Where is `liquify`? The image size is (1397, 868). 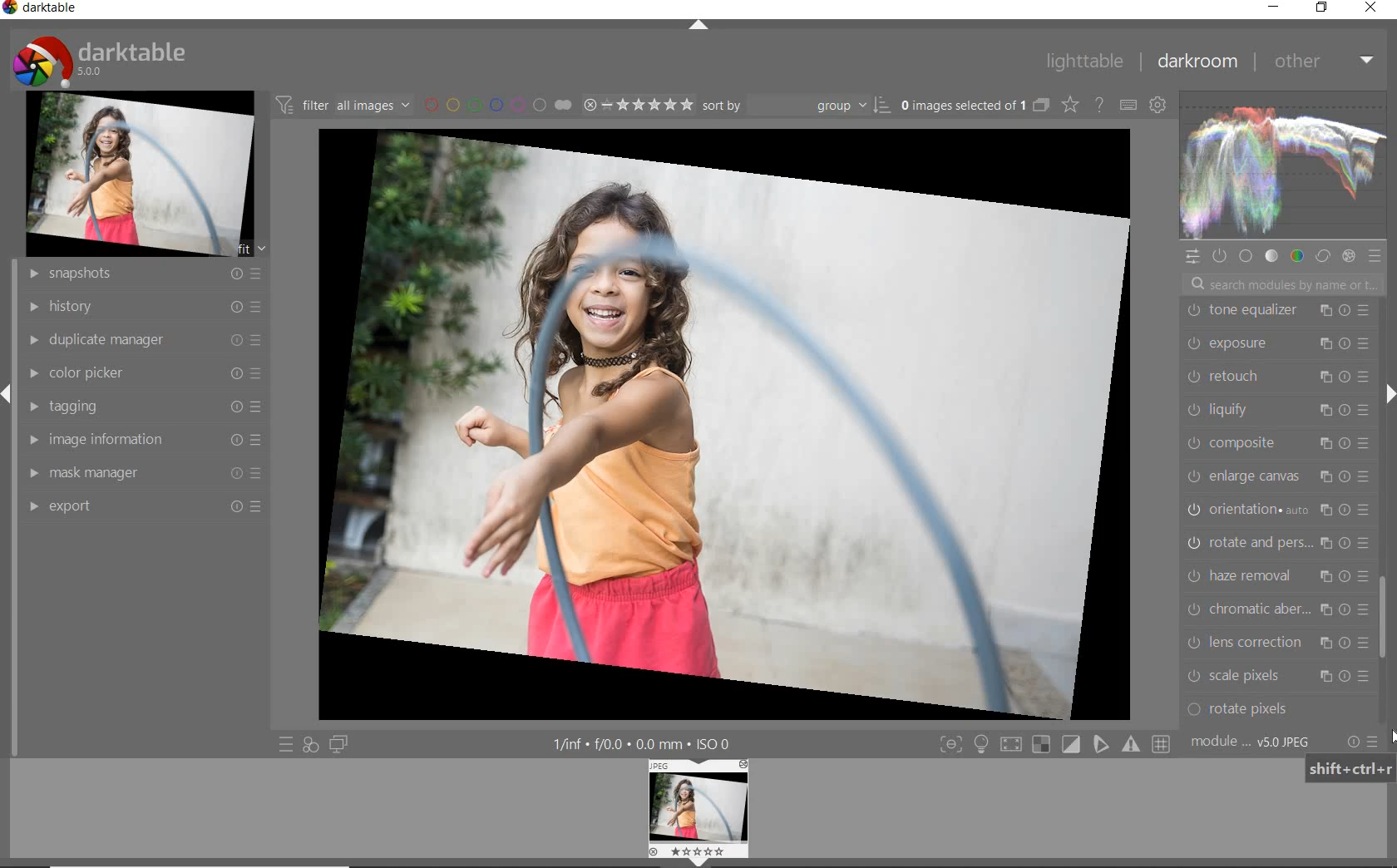 liquify is located at coordinates (1276, 411).